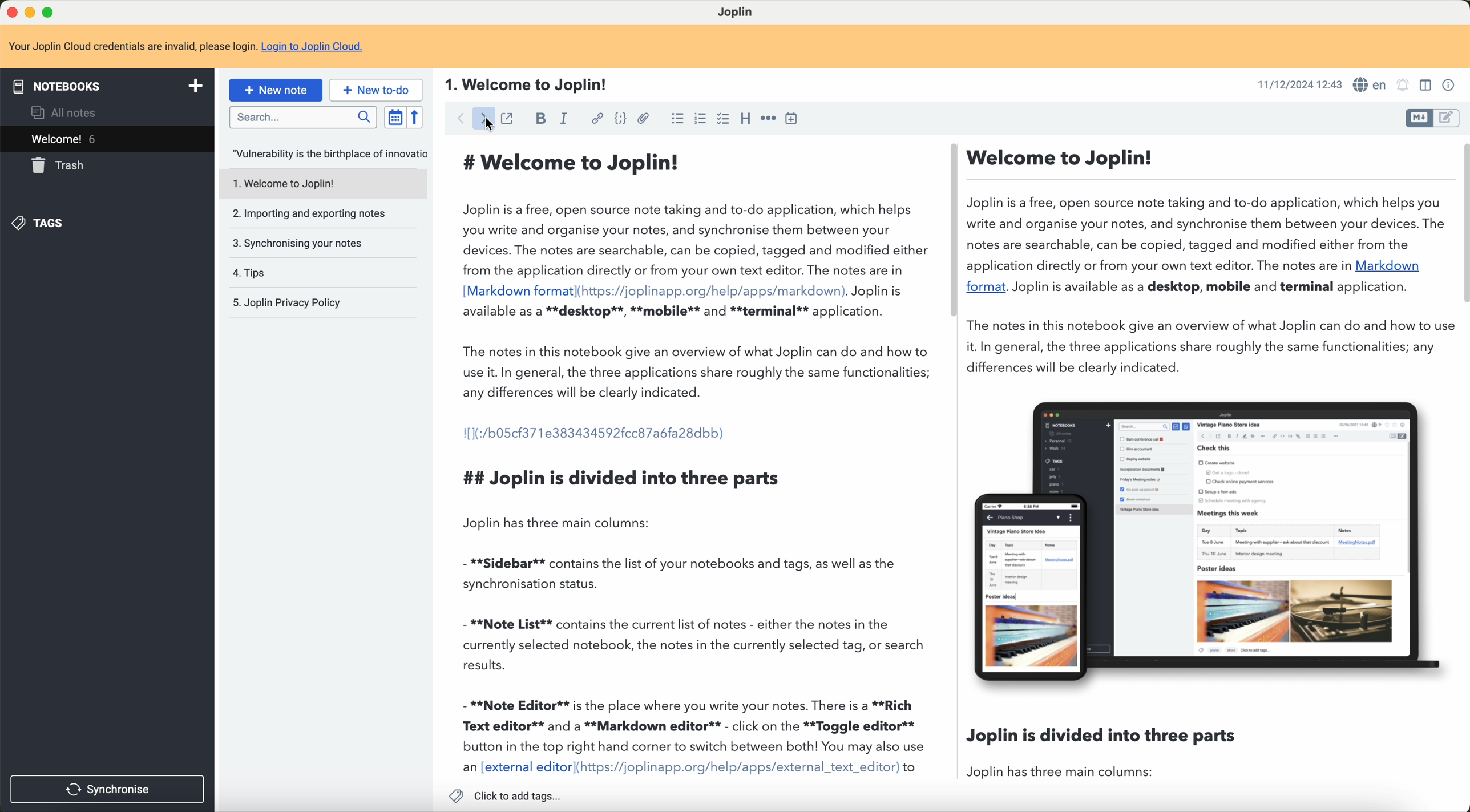 This screenshot has width=1470, height=812. Describe the element at coordinates (675, 119) in the screenshot. I see `bulleted list` at that location.